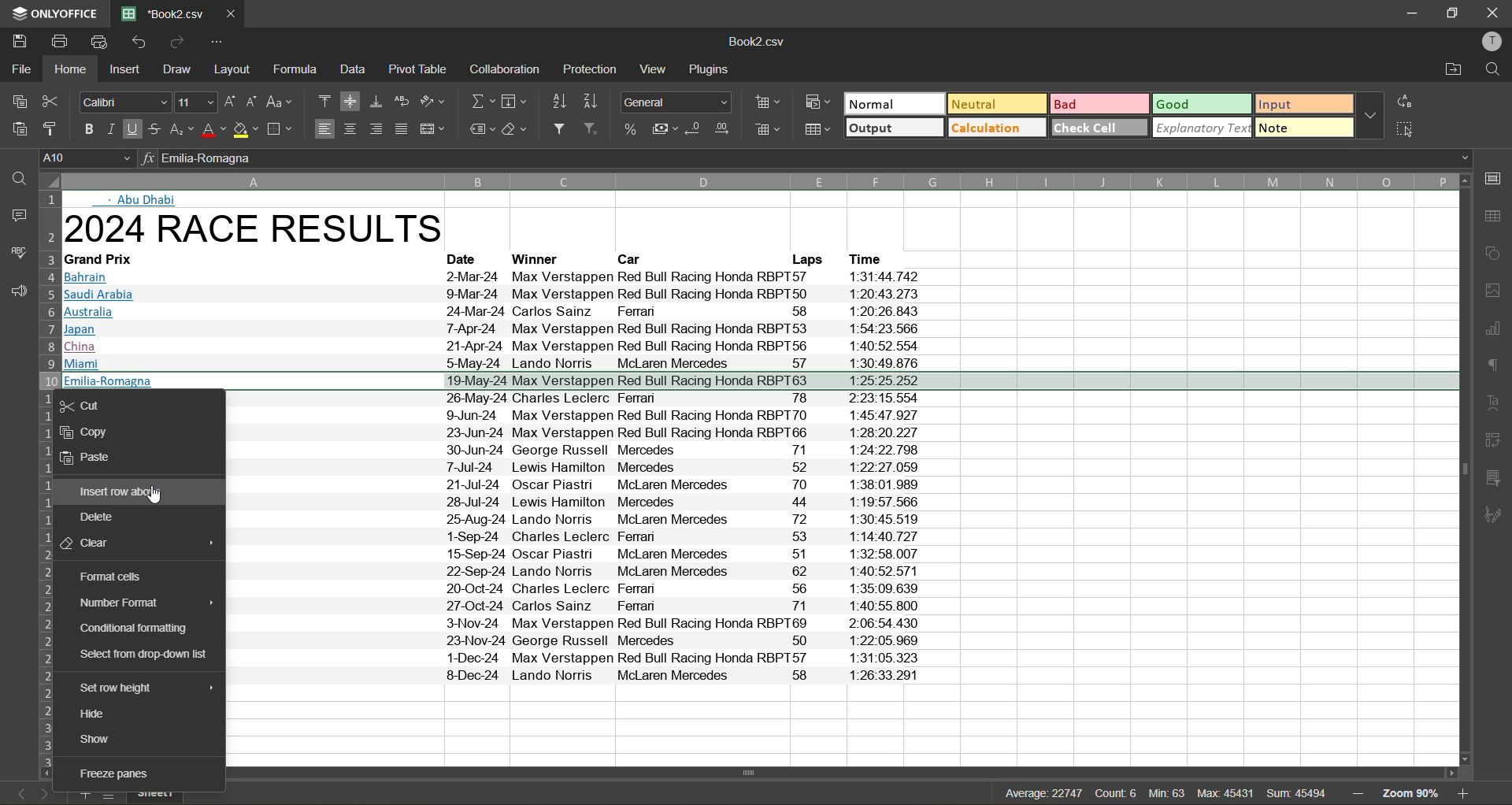 This screenshot has height=805, width=1512. I want to click on  7-Jul-24 | ewis Hamilton Mercedes 52 1-22-27 059, so click(575, 469).